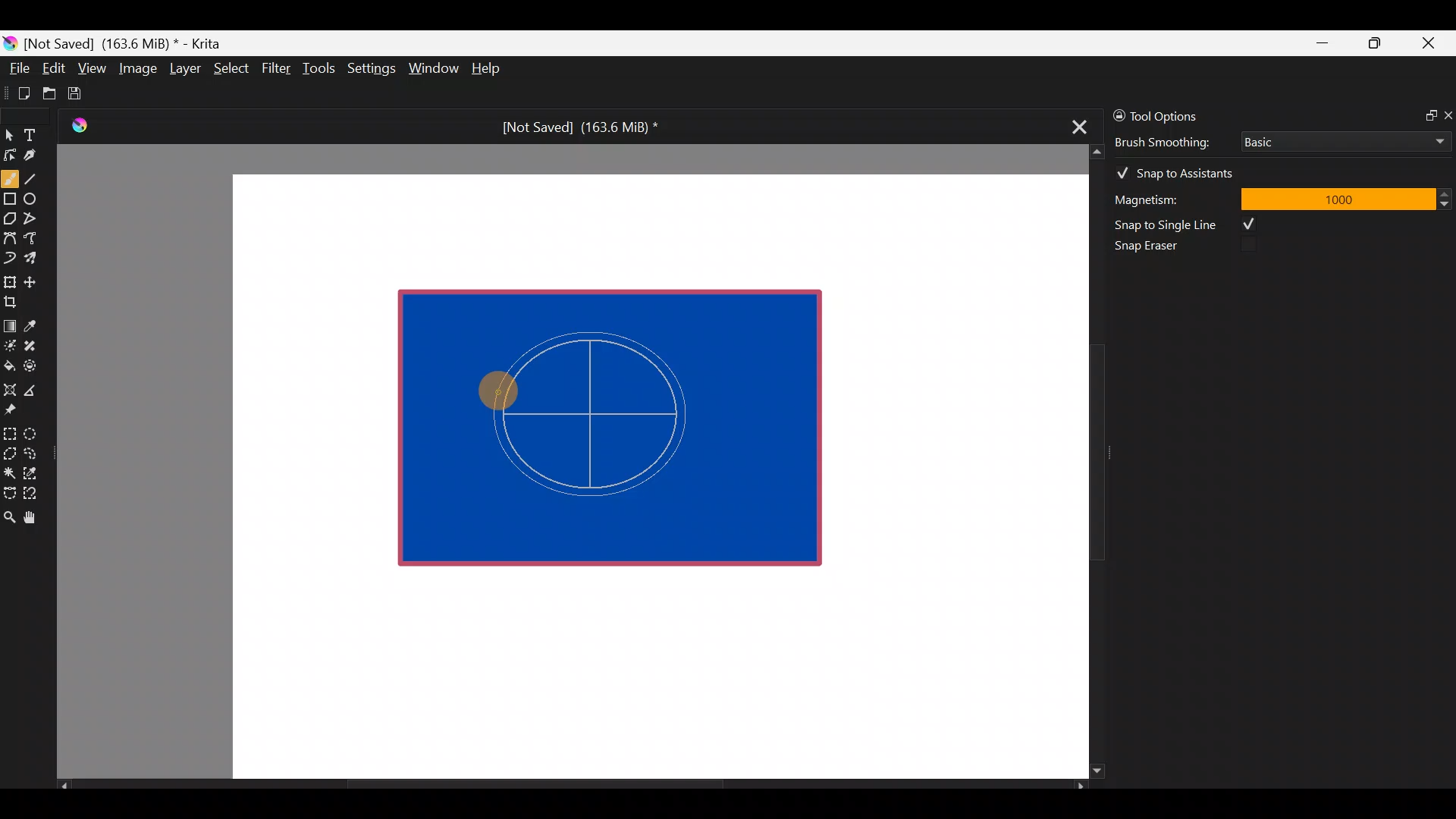 Image resolution: width=1456 pixels, height=819 pixels. I want to click on File, so click(15, 71).